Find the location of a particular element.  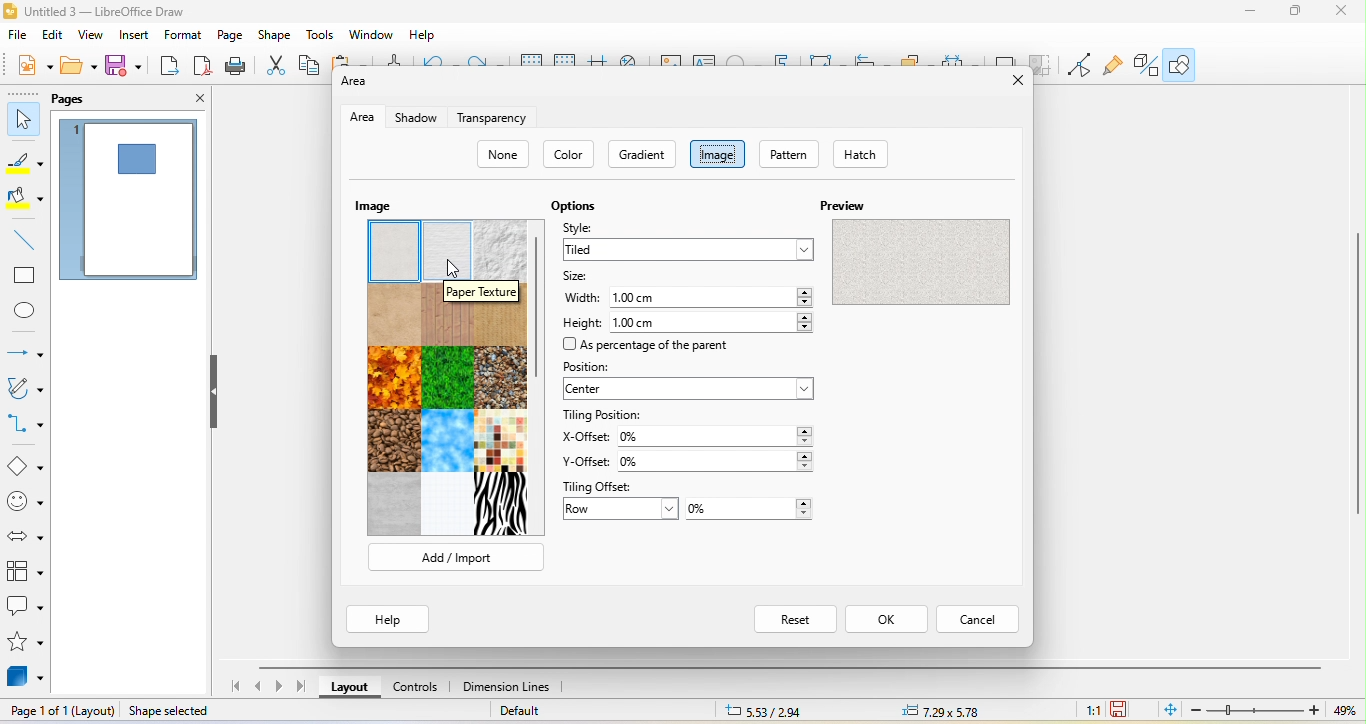

show draw function is located at coordinates (1189, 66).